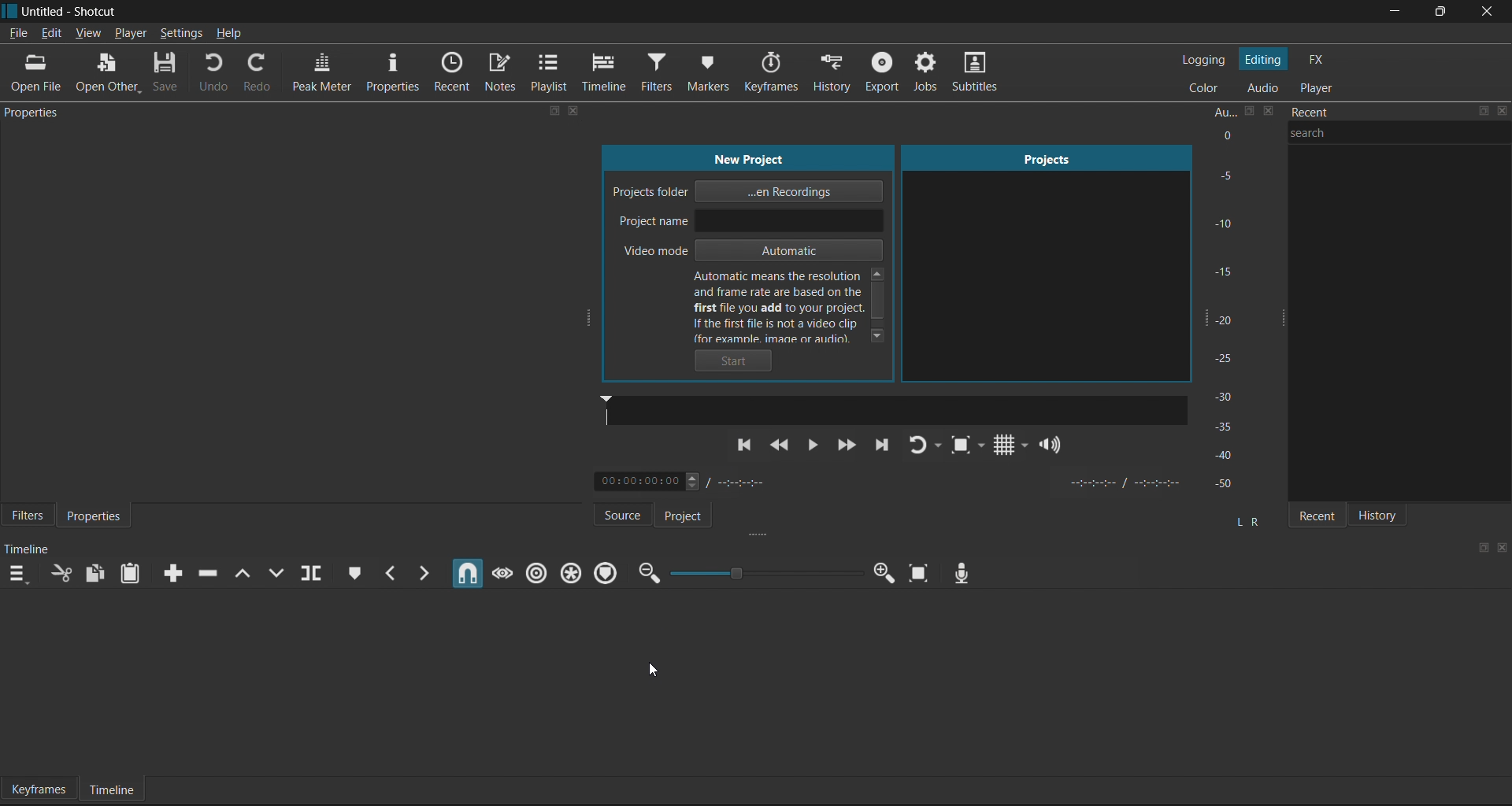 The height and width of the screenshot is (806, 1512). Describe the element at coordinates (127, 575) in the screenshot. I see `Paste` at that location.